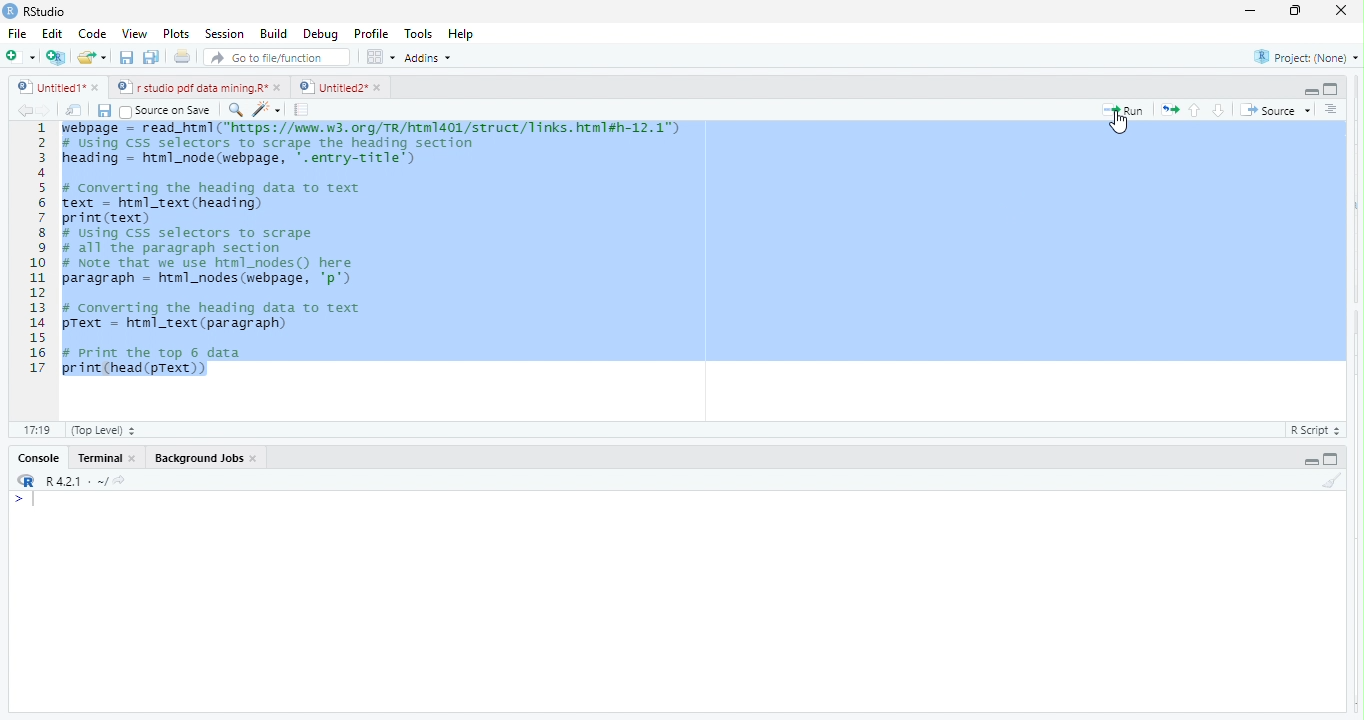 This screenshot has width=1364, height=720. I want to click on Background Jobs, so click(196, 456).